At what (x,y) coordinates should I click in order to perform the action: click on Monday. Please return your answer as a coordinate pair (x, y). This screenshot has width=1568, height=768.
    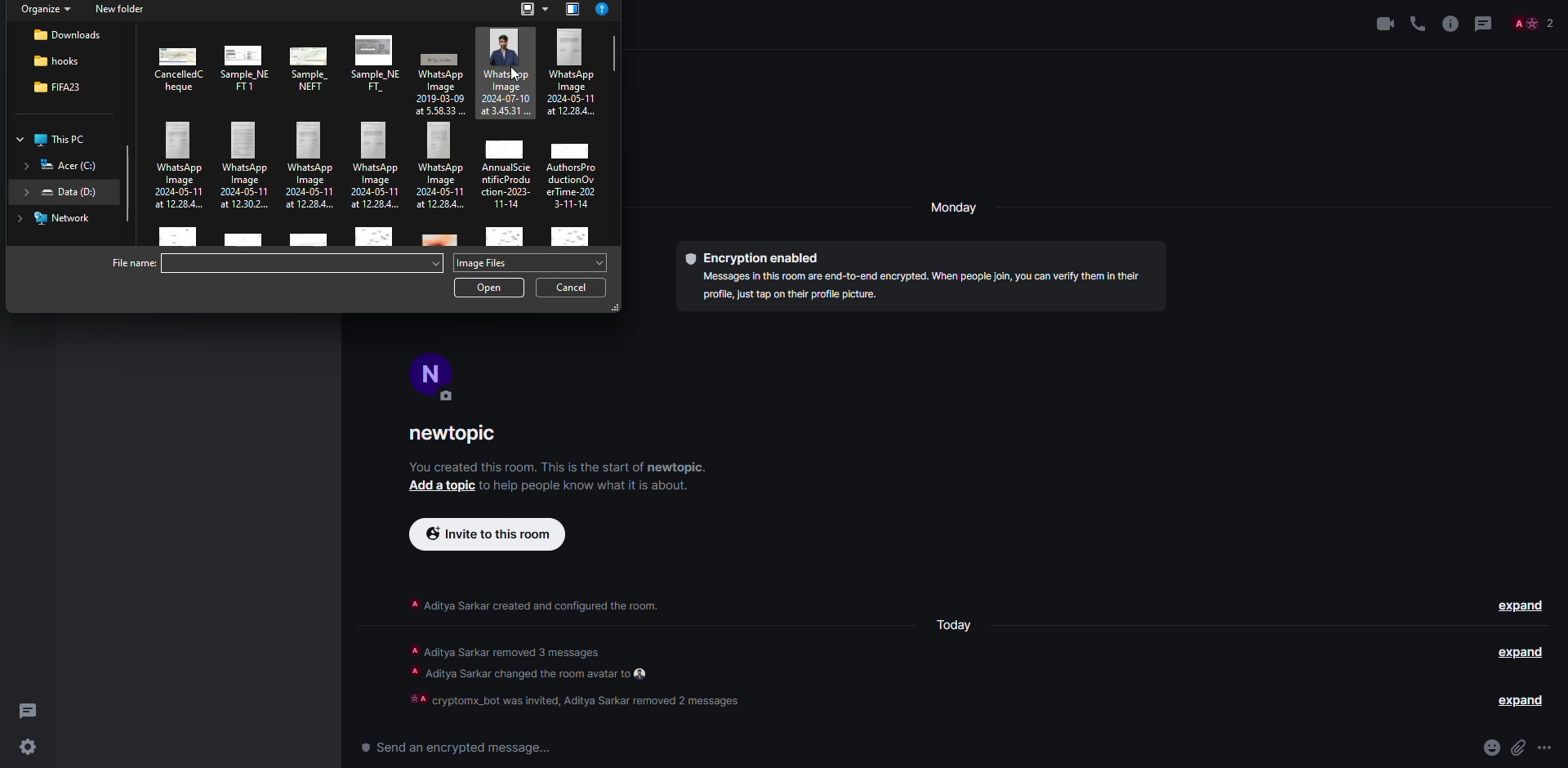
    Looking at the image, I should click on (957, 629).